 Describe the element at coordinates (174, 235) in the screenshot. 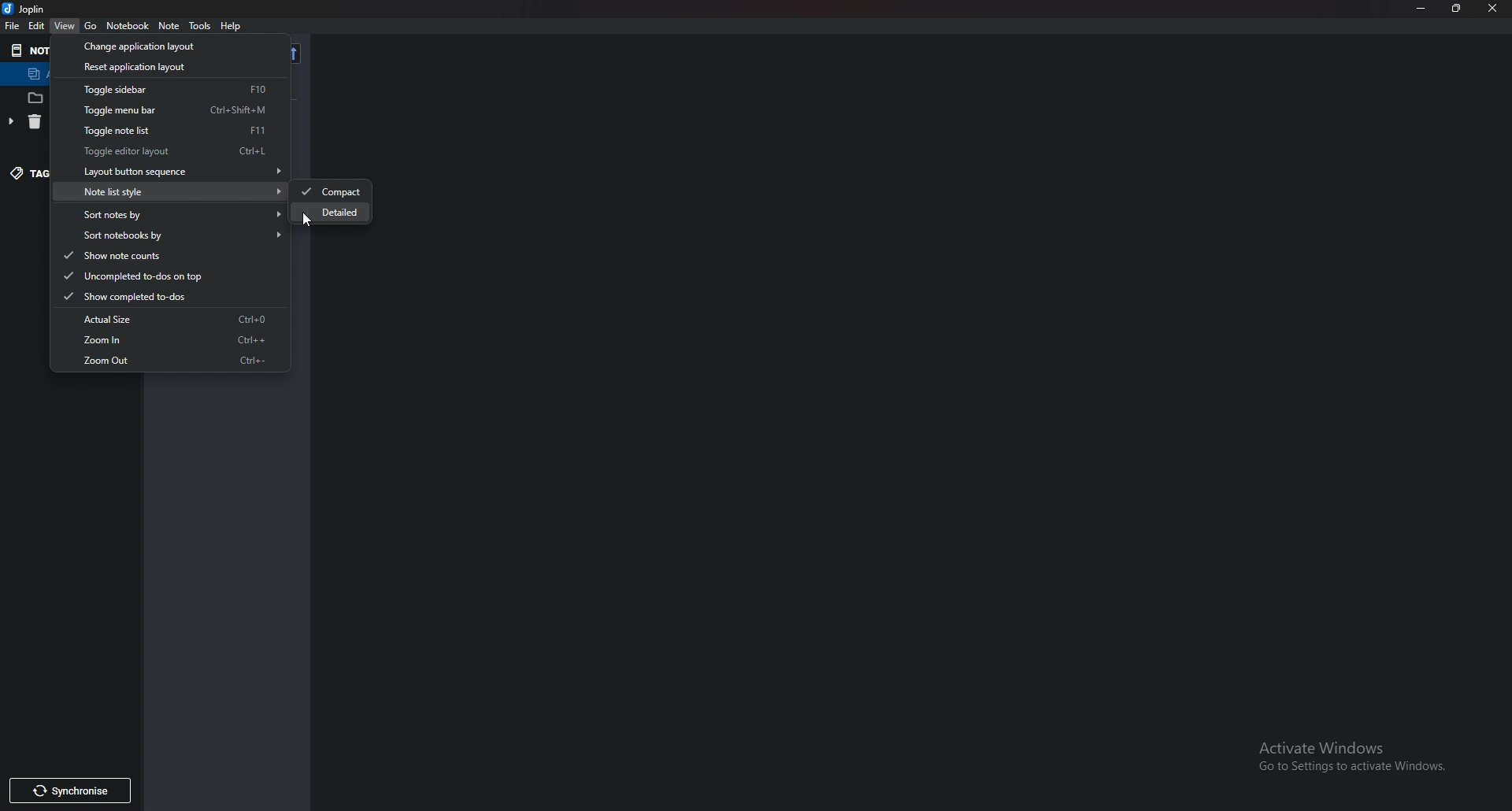

I see `Sort notebook by` at that location.